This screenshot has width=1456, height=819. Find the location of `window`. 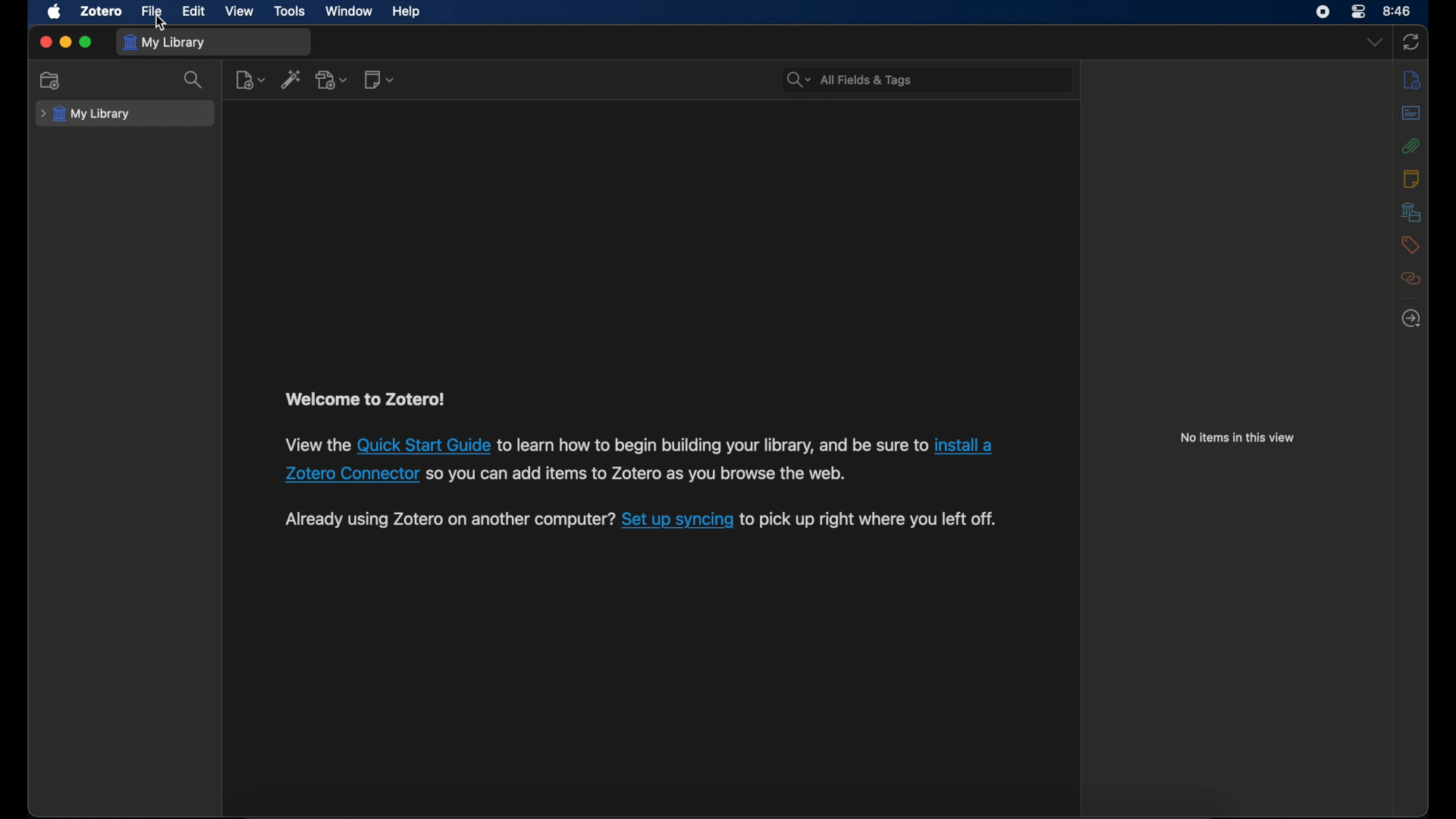

window is located at coordinates (347, 11).